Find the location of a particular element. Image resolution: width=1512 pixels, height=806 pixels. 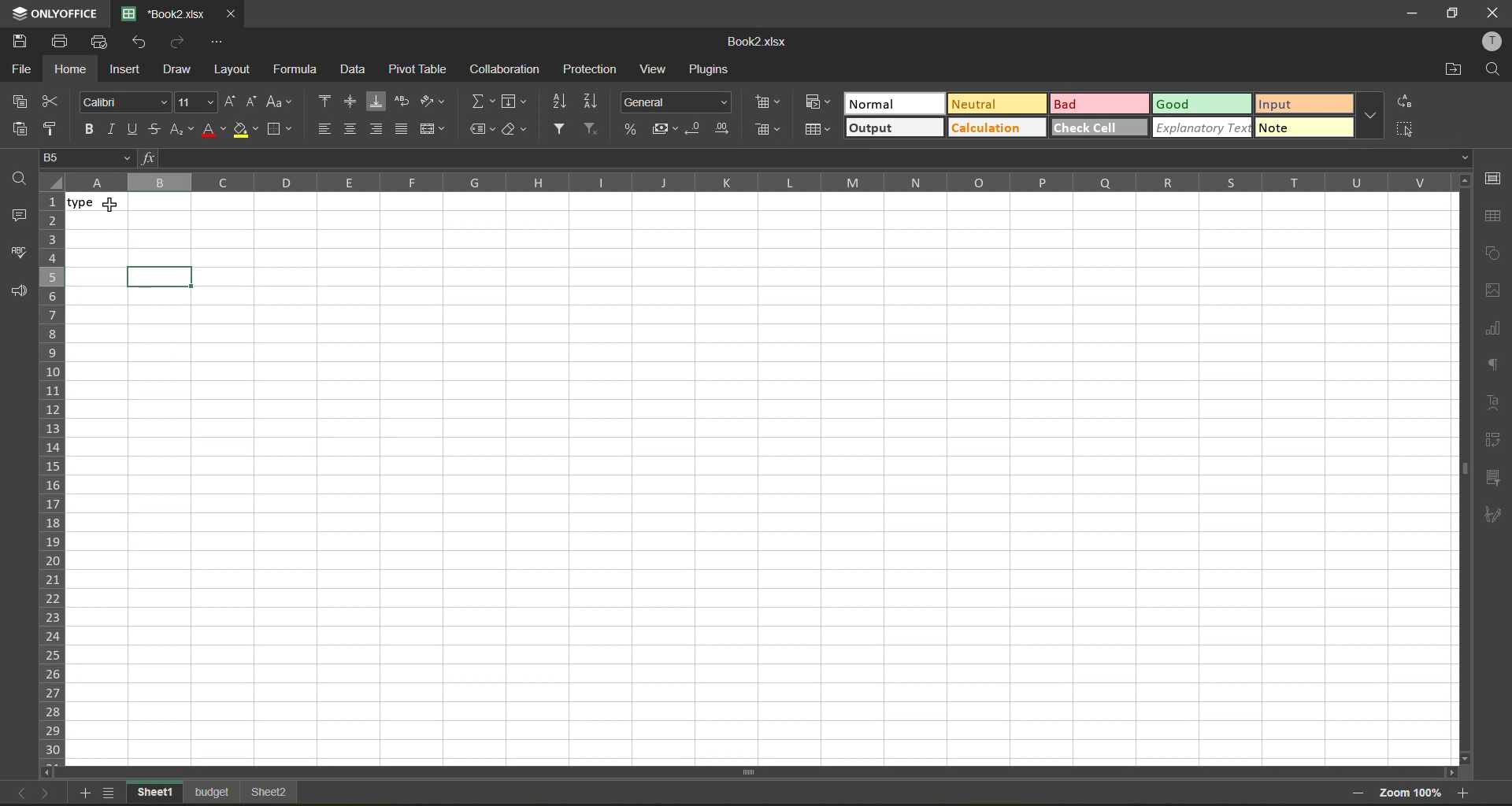

open location is located at coordinates (1450, 71).